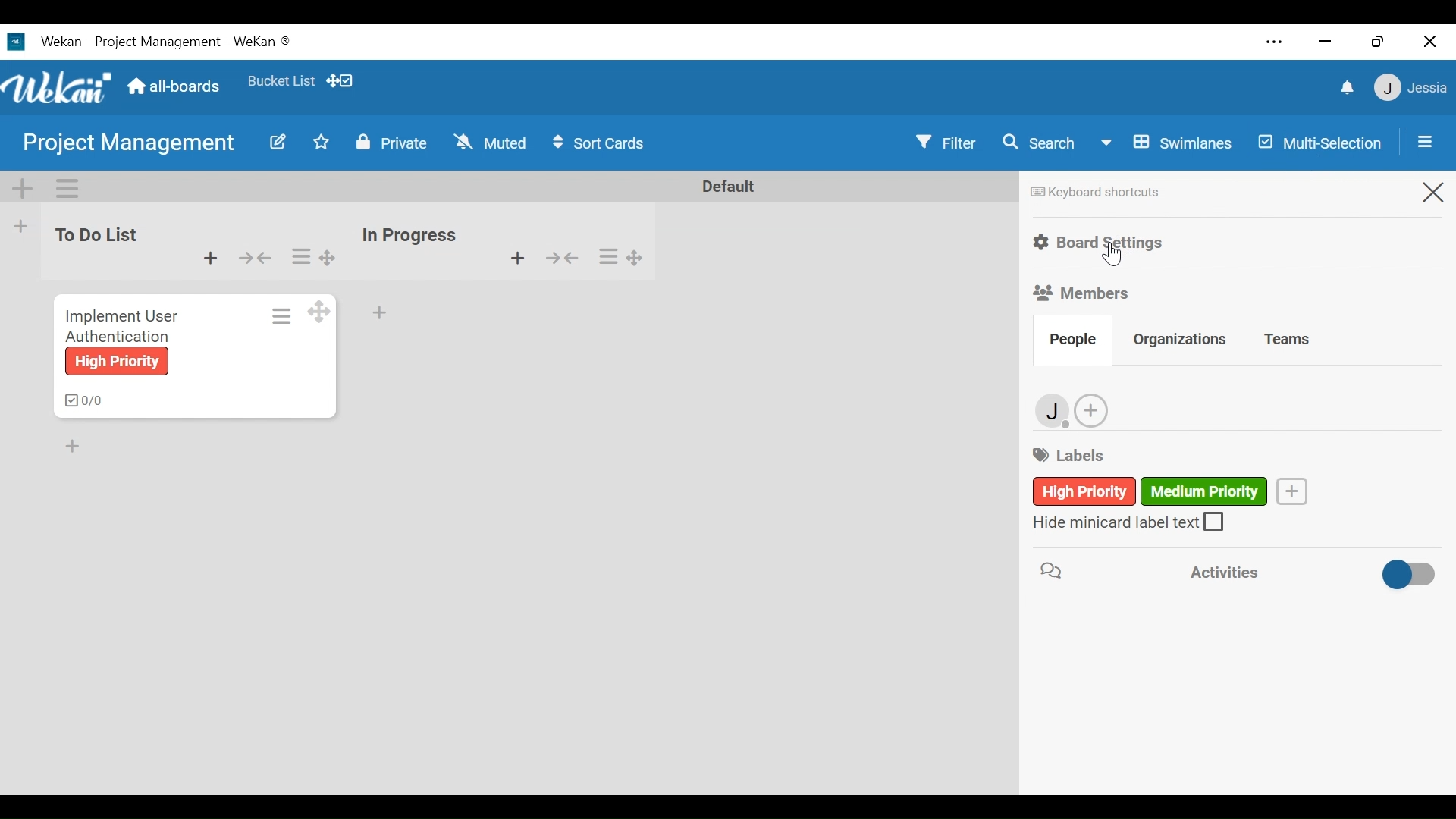 The height and width of the screenshot is (819, 1456). What do you see at coordinates (121, 325) in the screenshot?
I see `Implement user authentication` at bounding box center [121, 325].